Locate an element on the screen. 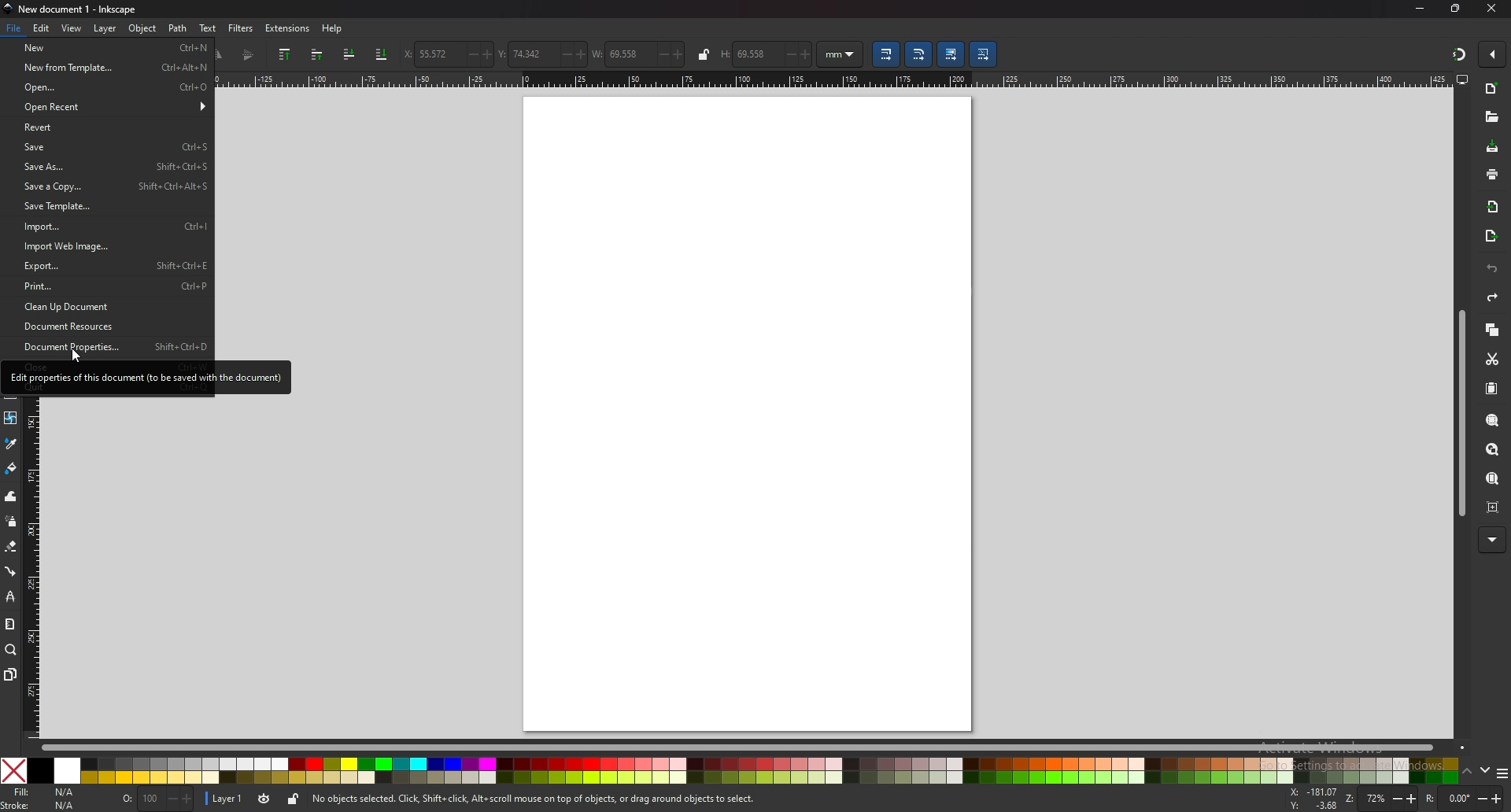  pages is located at coordinates (10, 674).